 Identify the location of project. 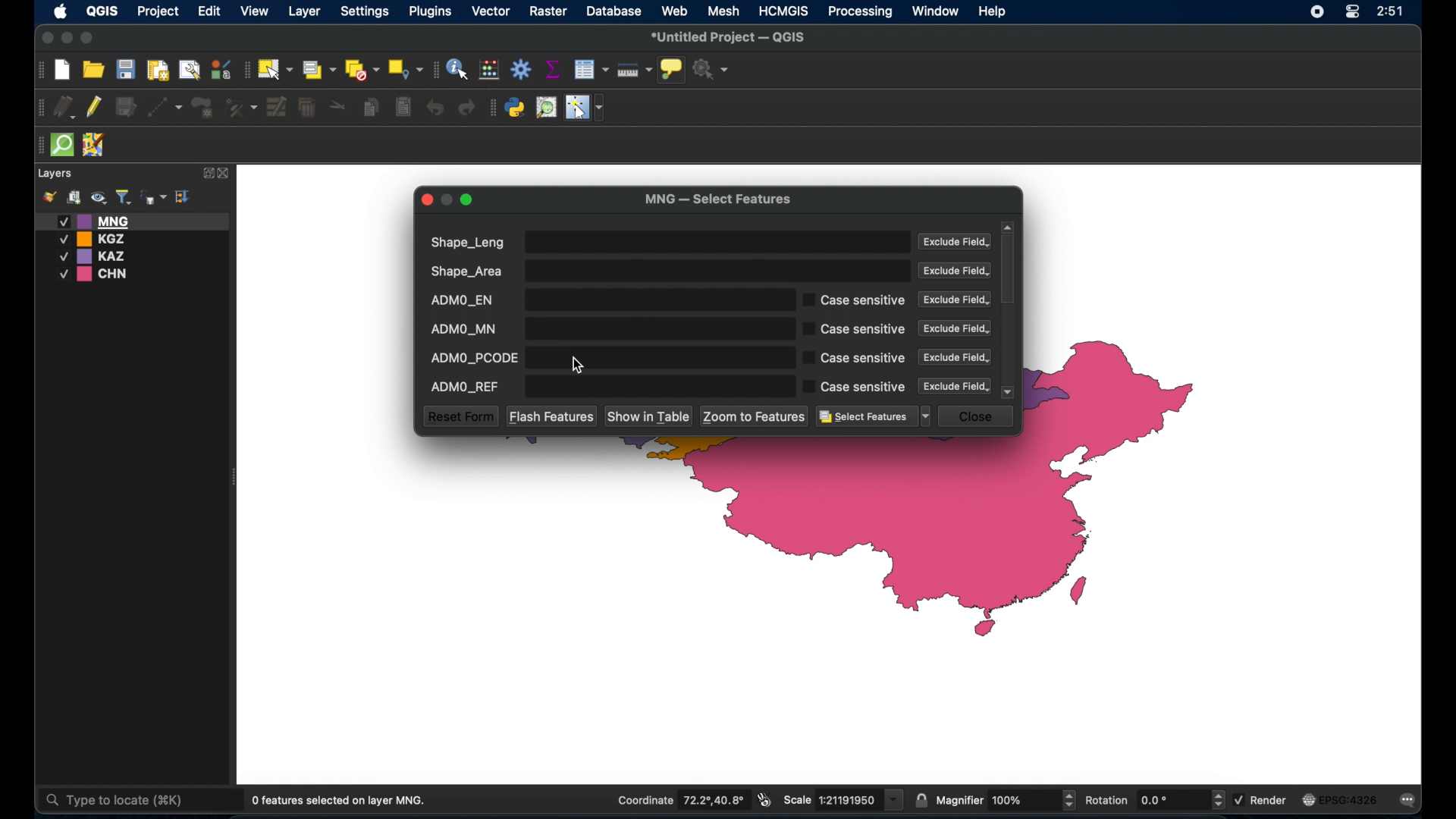
(158, 12).